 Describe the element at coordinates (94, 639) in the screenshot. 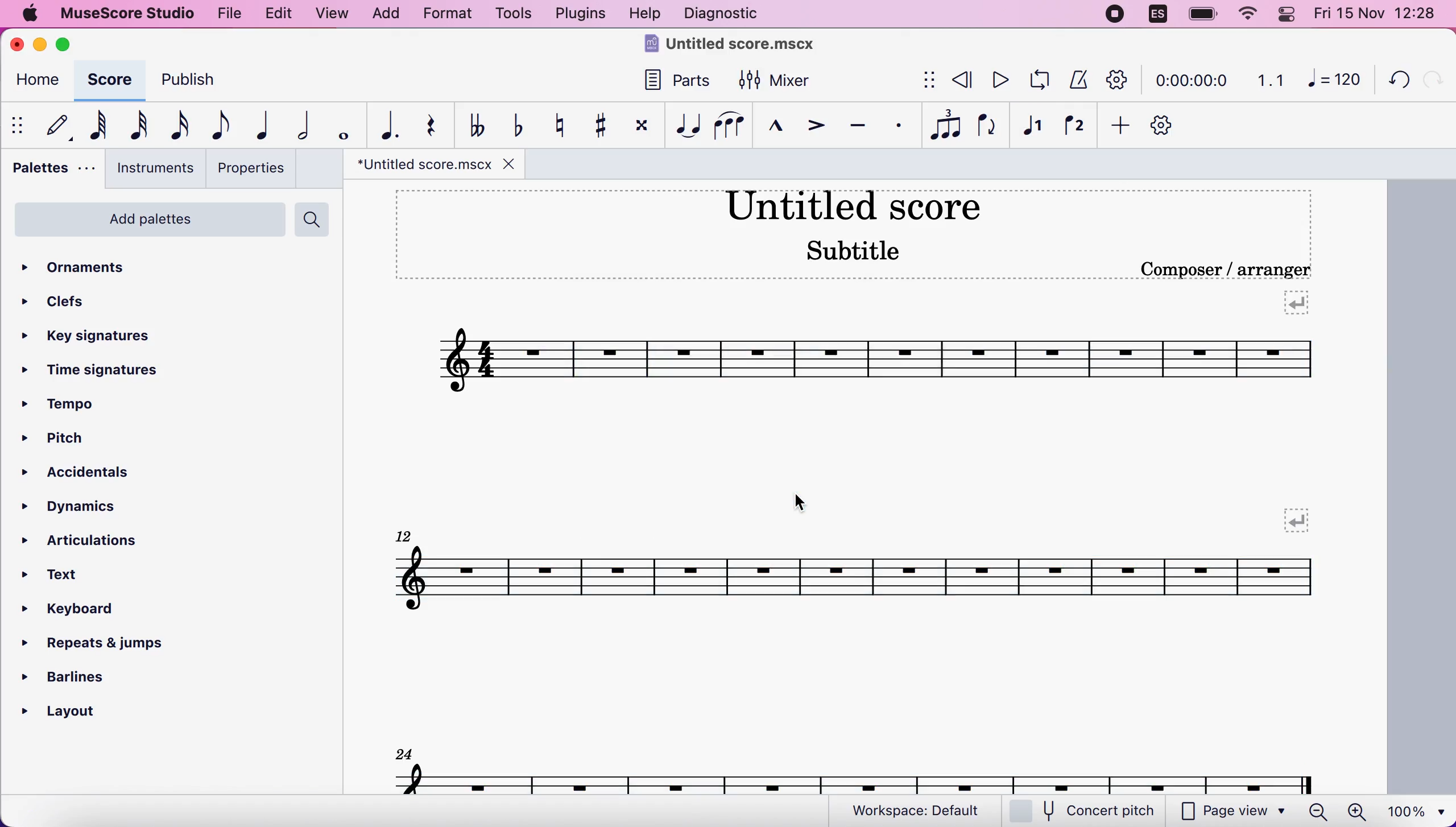

I see `repeats and jumps` at that location.